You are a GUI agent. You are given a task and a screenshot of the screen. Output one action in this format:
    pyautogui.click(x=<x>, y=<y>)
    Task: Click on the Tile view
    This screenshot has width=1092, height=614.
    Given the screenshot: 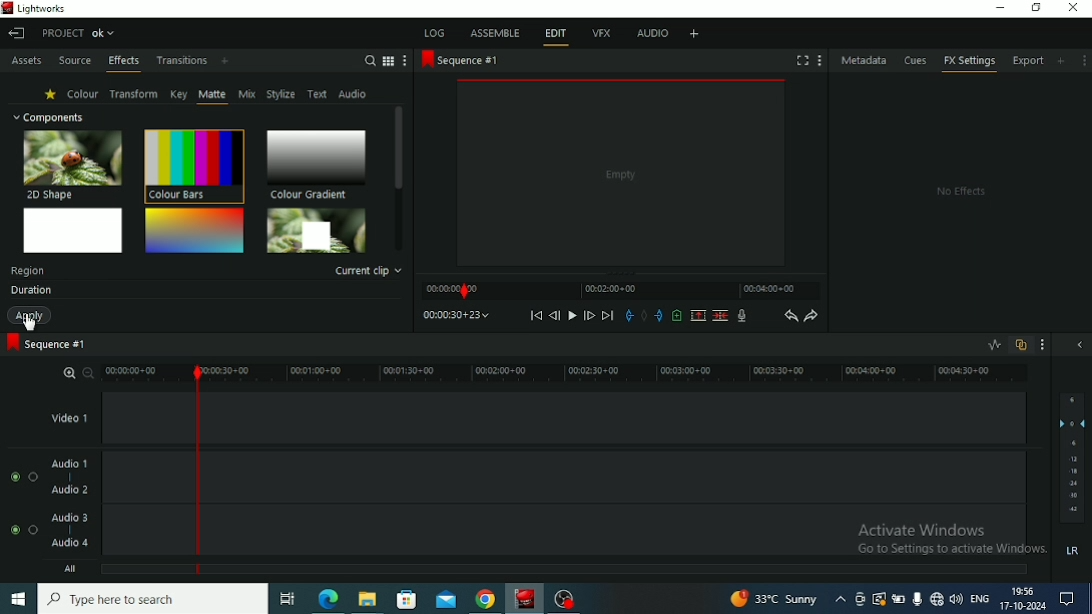 What is the action you would take?
    pyautogui.click(x=389, y=61)
    